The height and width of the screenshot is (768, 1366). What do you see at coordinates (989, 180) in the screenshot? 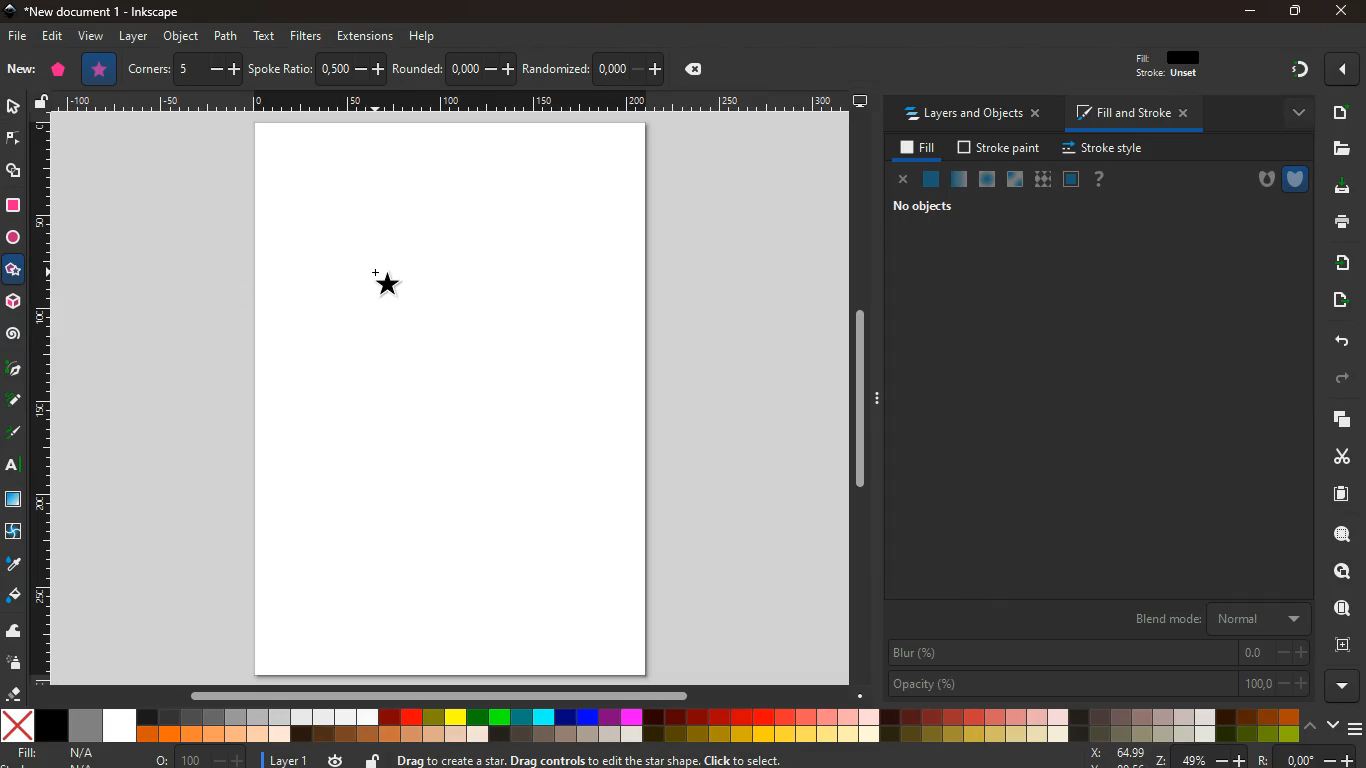
I see `ice` at bounding box center [989, 180].